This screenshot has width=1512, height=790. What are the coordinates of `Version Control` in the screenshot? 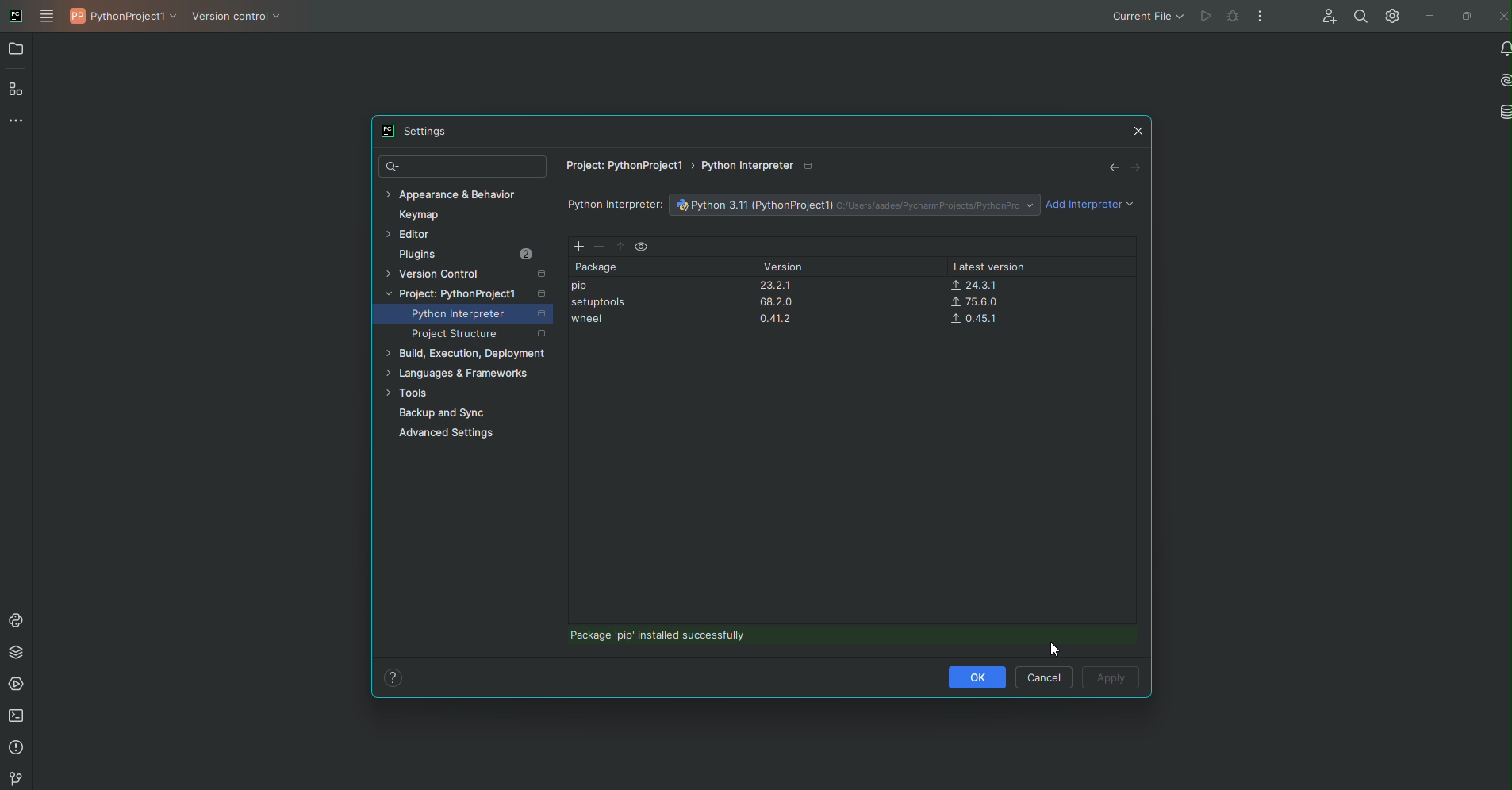 It's located at (472, 272).